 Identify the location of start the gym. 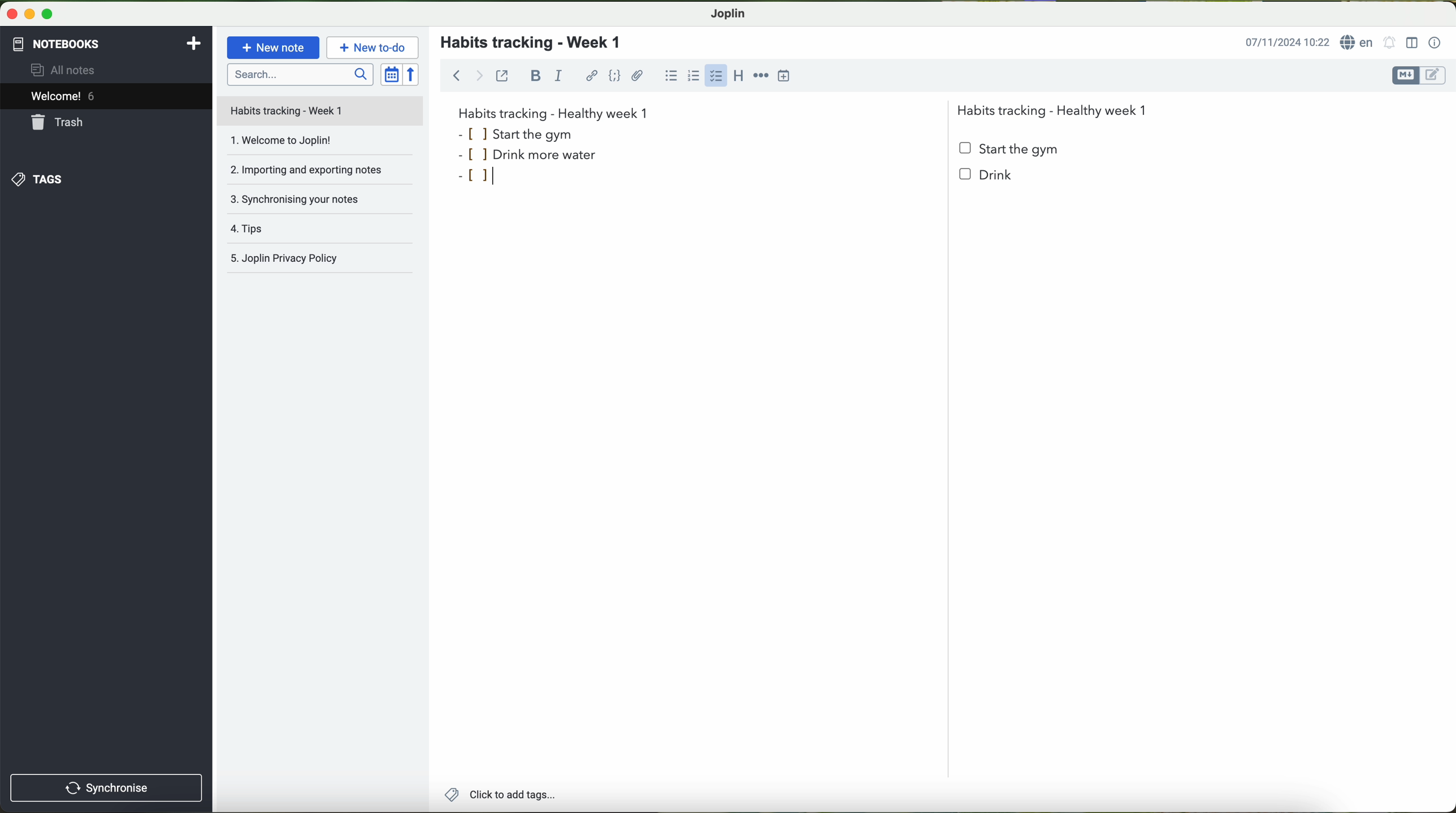
(1010, 149).